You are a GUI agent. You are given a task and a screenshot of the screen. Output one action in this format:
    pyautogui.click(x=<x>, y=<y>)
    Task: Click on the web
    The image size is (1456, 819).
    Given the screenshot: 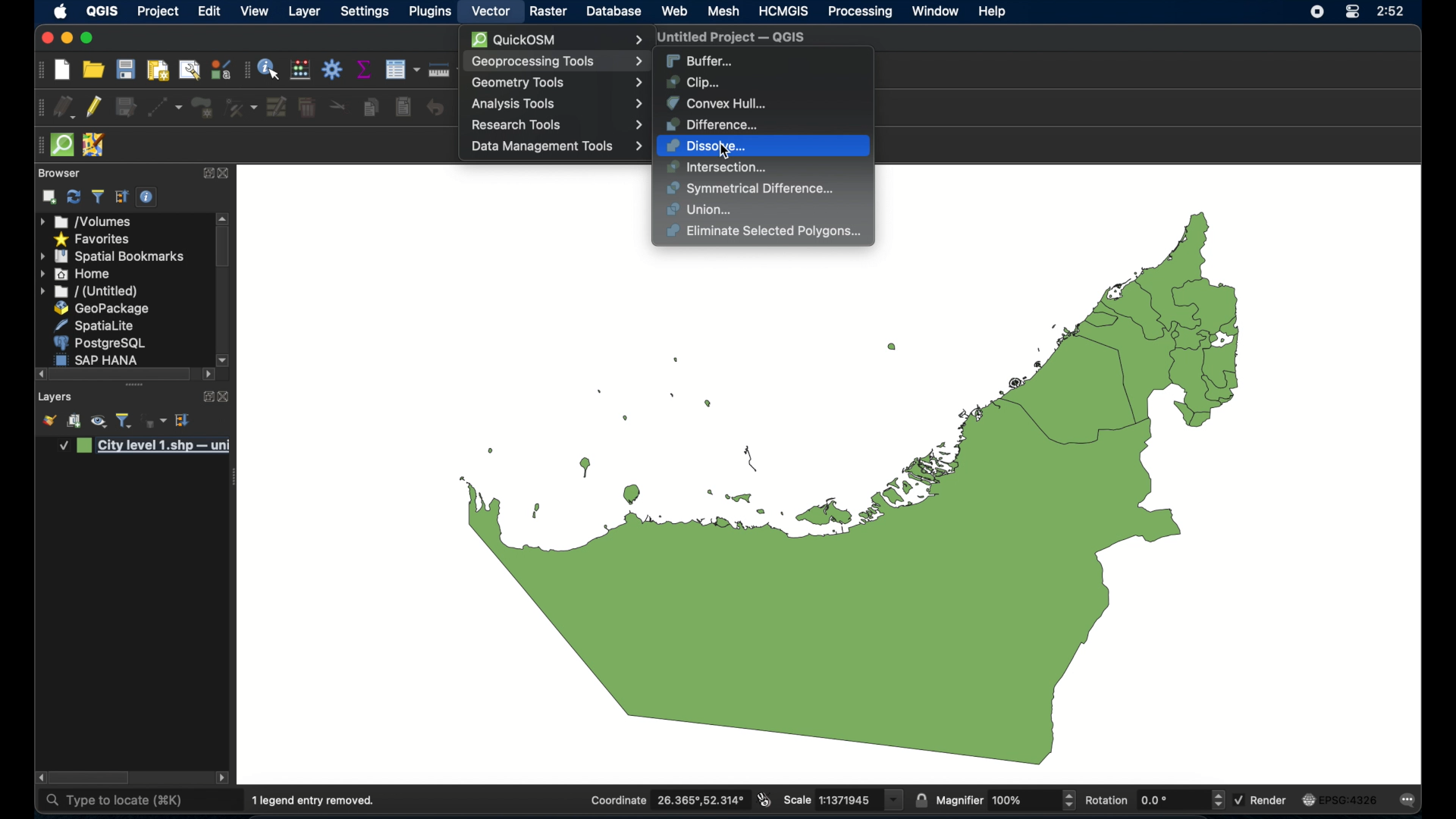 What is the action you would take?
    pyautogui.click(x=674, y=11)
    